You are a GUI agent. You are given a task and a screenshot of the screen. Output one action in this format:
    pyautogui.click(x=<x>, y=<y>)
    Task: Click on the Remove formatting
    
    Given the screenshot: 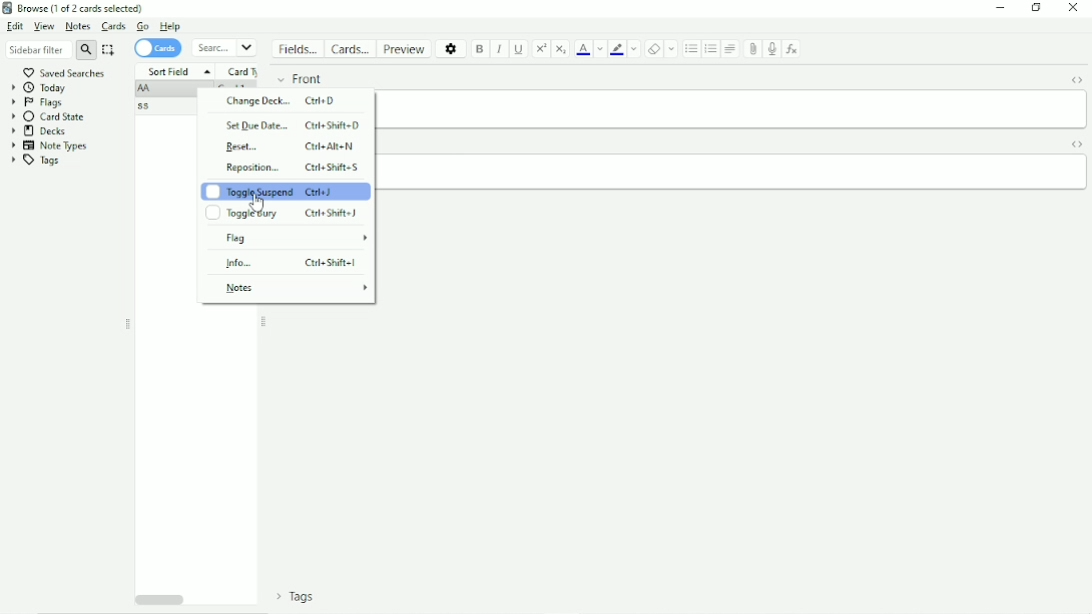 What is the action you would take?
    pyautogui.click(x=654, y=49)
    